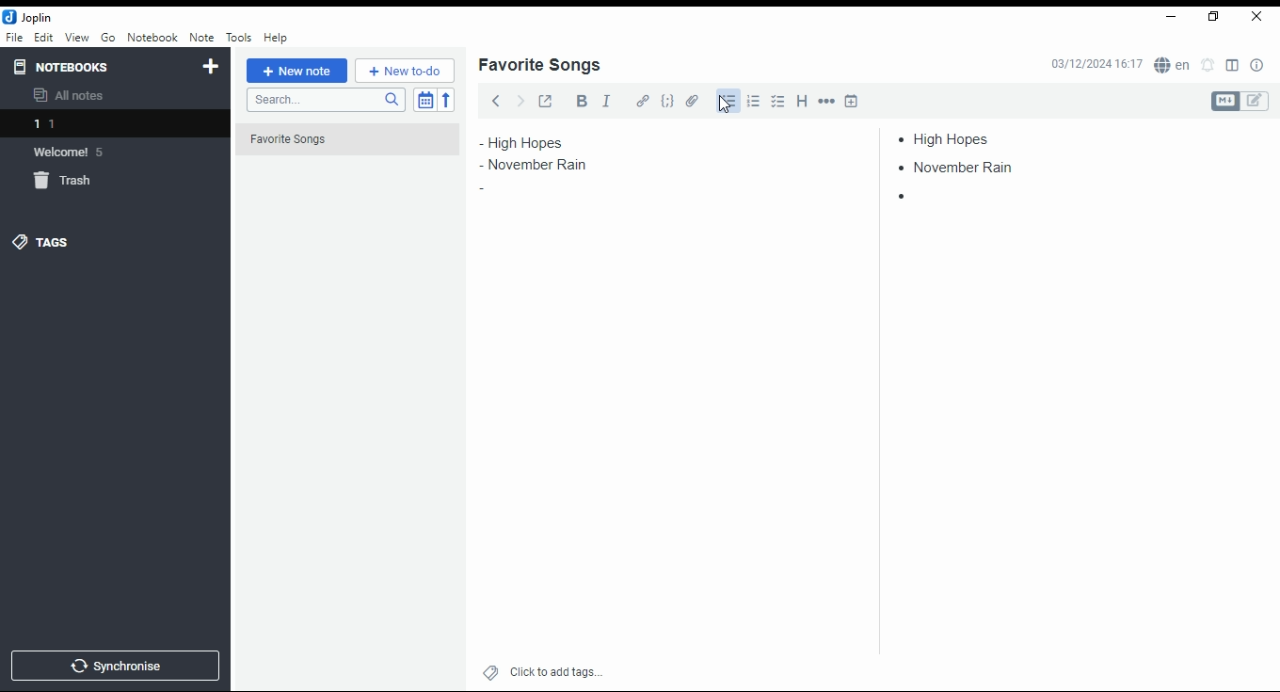 The image size is (1280, 692). I want to click on forward, so click(520, 99).